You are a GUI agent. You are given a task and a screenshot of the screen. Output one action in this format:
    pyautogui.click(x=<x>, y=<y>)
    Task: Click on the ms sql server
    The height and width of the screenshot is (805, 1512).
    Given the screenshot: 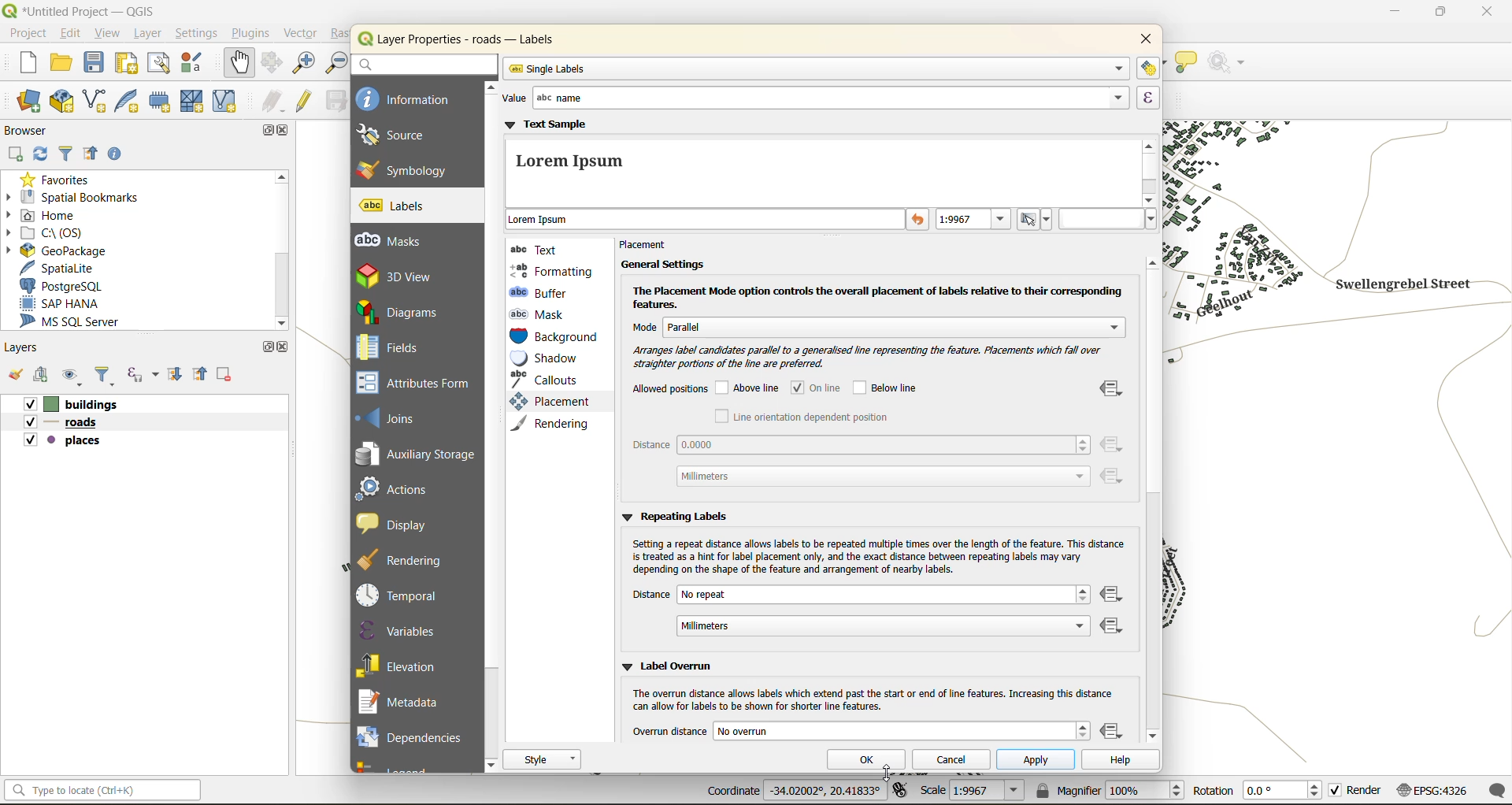 What is the action you would take?
    pyautogui.click(x=73, y=322)
    